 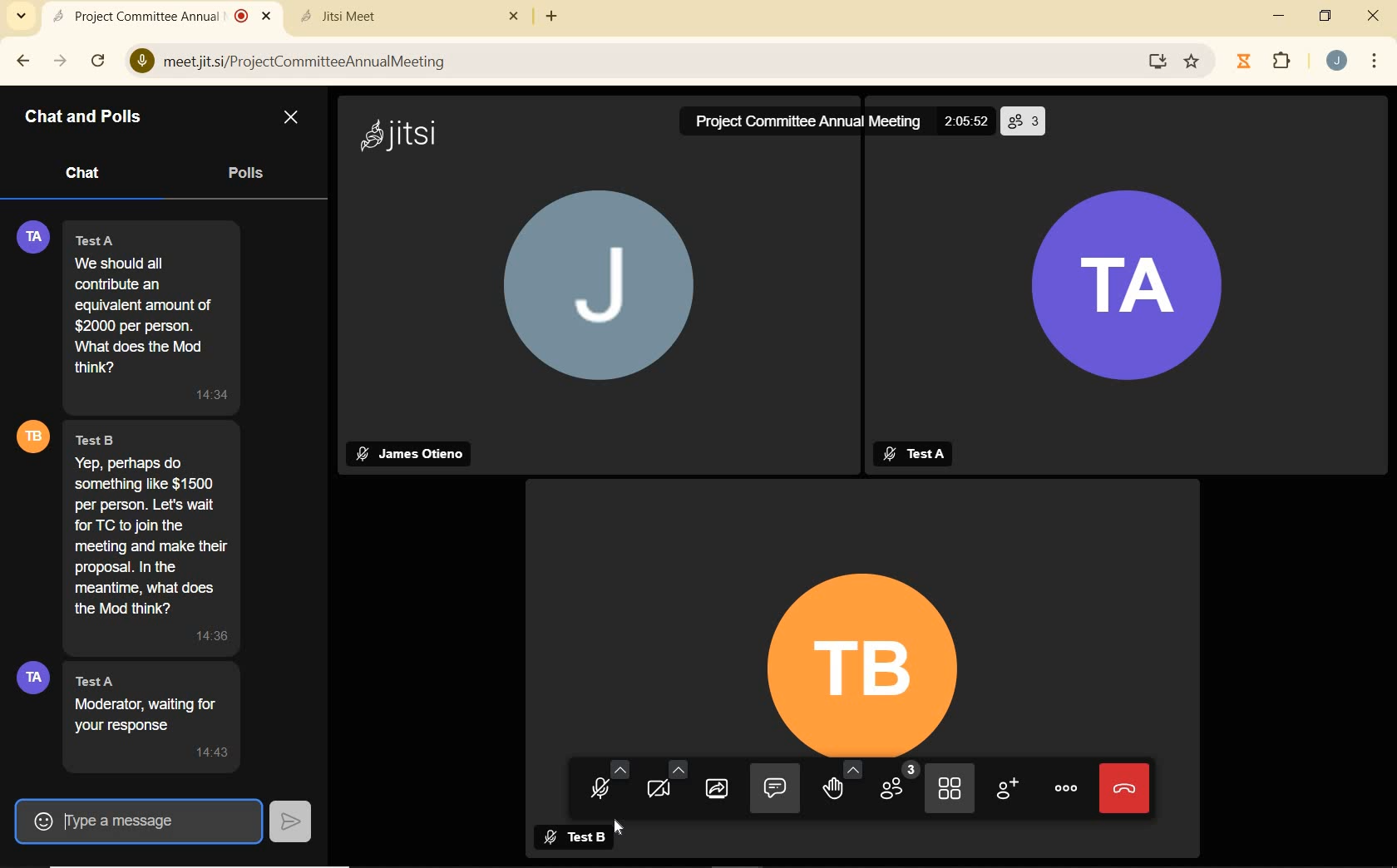 What do you see at coordinates (1067, 790) in the screenshot?
I see `more actions` at bounding box center [1067, 790].